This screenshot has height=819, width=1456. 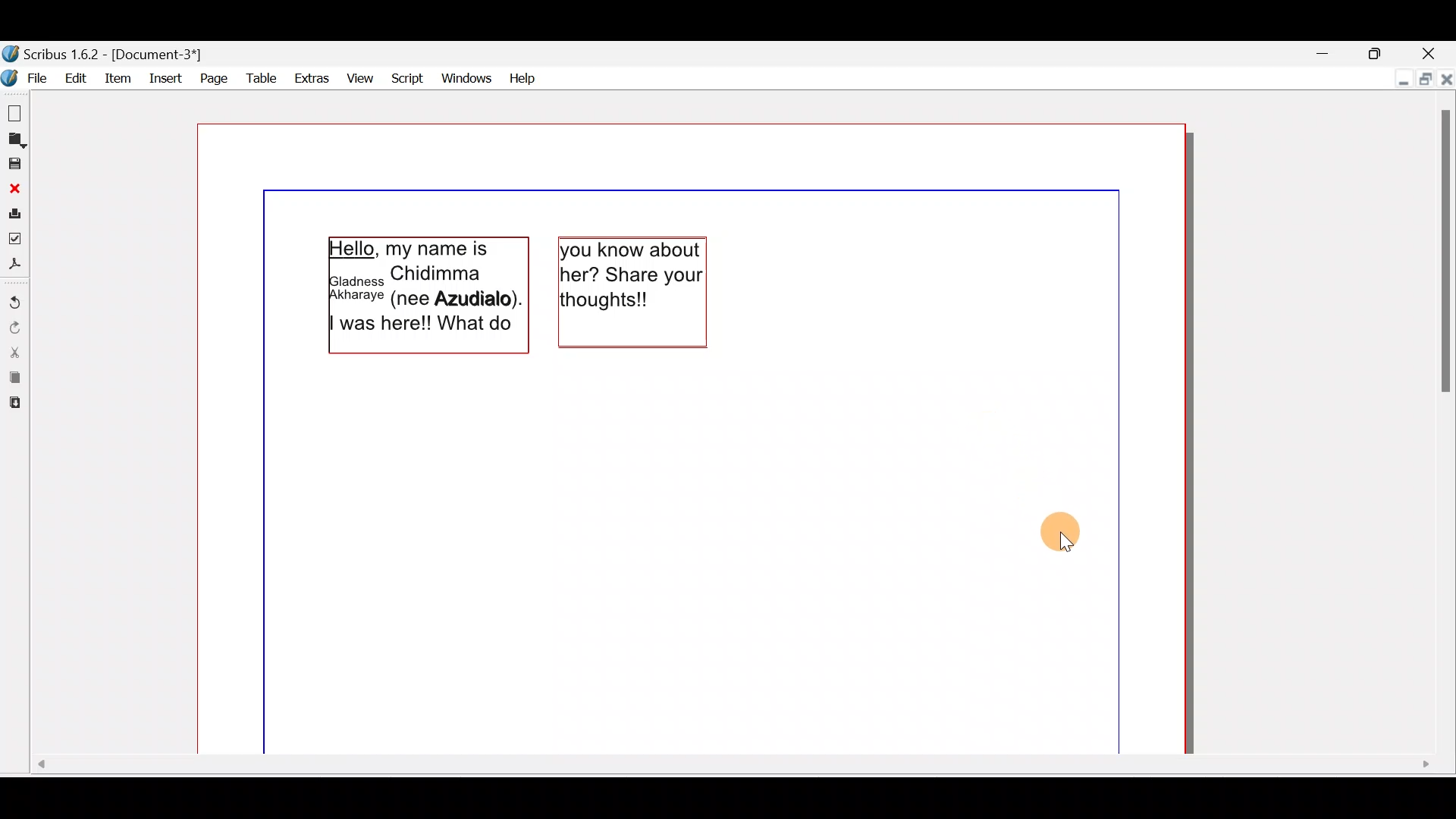 I want to click on File, so click(x=27, y=76).